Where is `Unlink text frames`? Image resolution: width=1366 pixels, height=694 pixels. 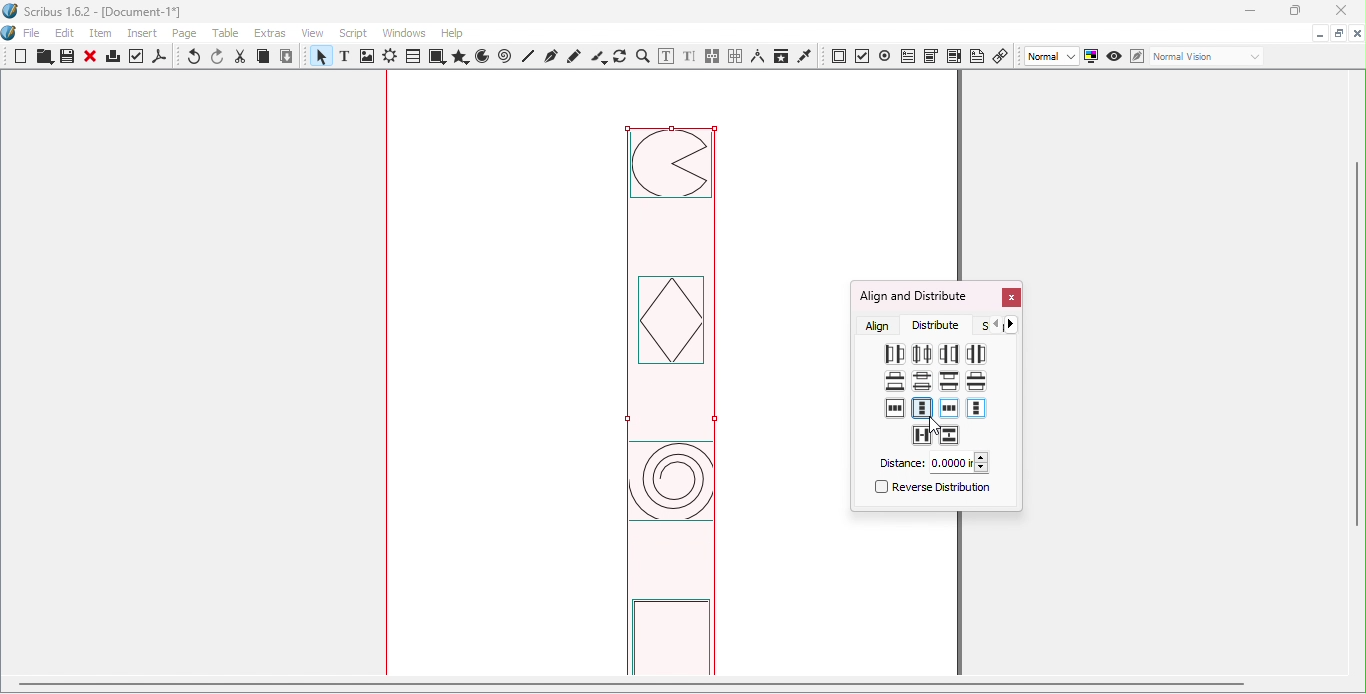 Unlink text frames is located at coordinates (735, 56).